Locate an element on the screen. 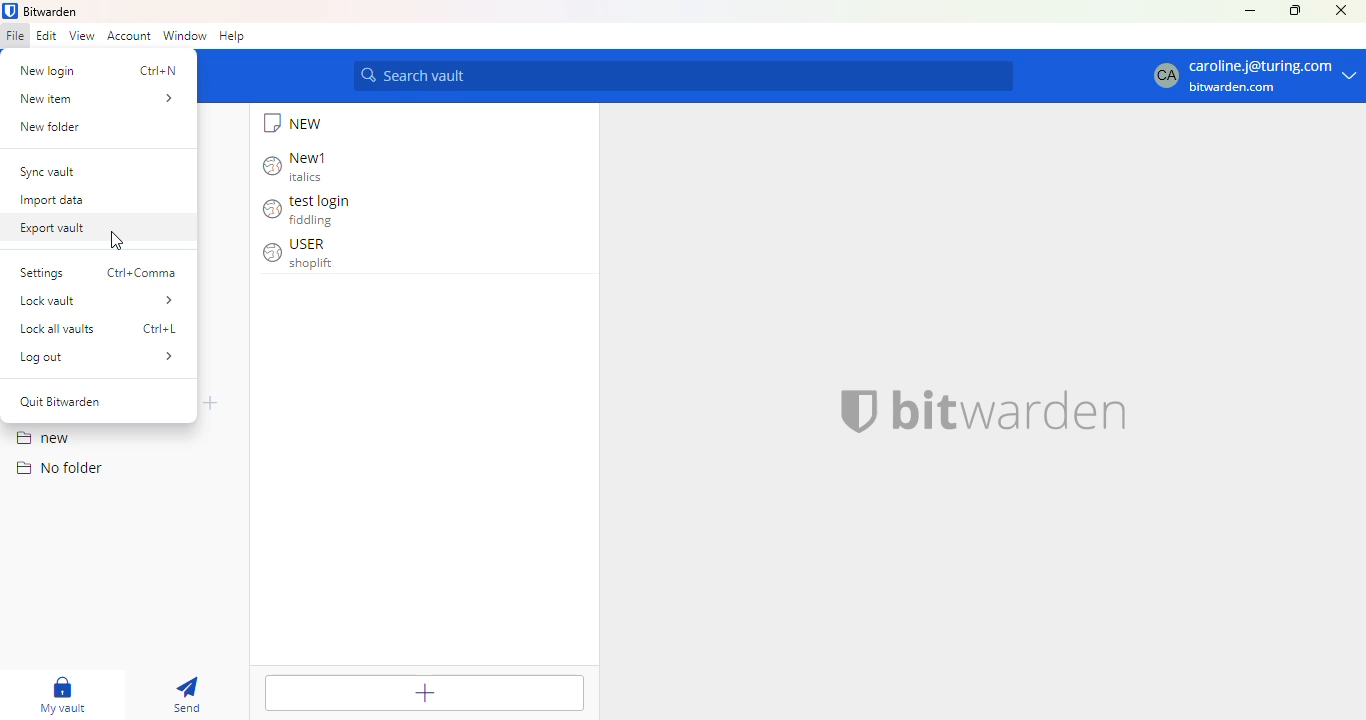 This screenshot has width=1366, height=720. new login is located at coordinates (98, 71).